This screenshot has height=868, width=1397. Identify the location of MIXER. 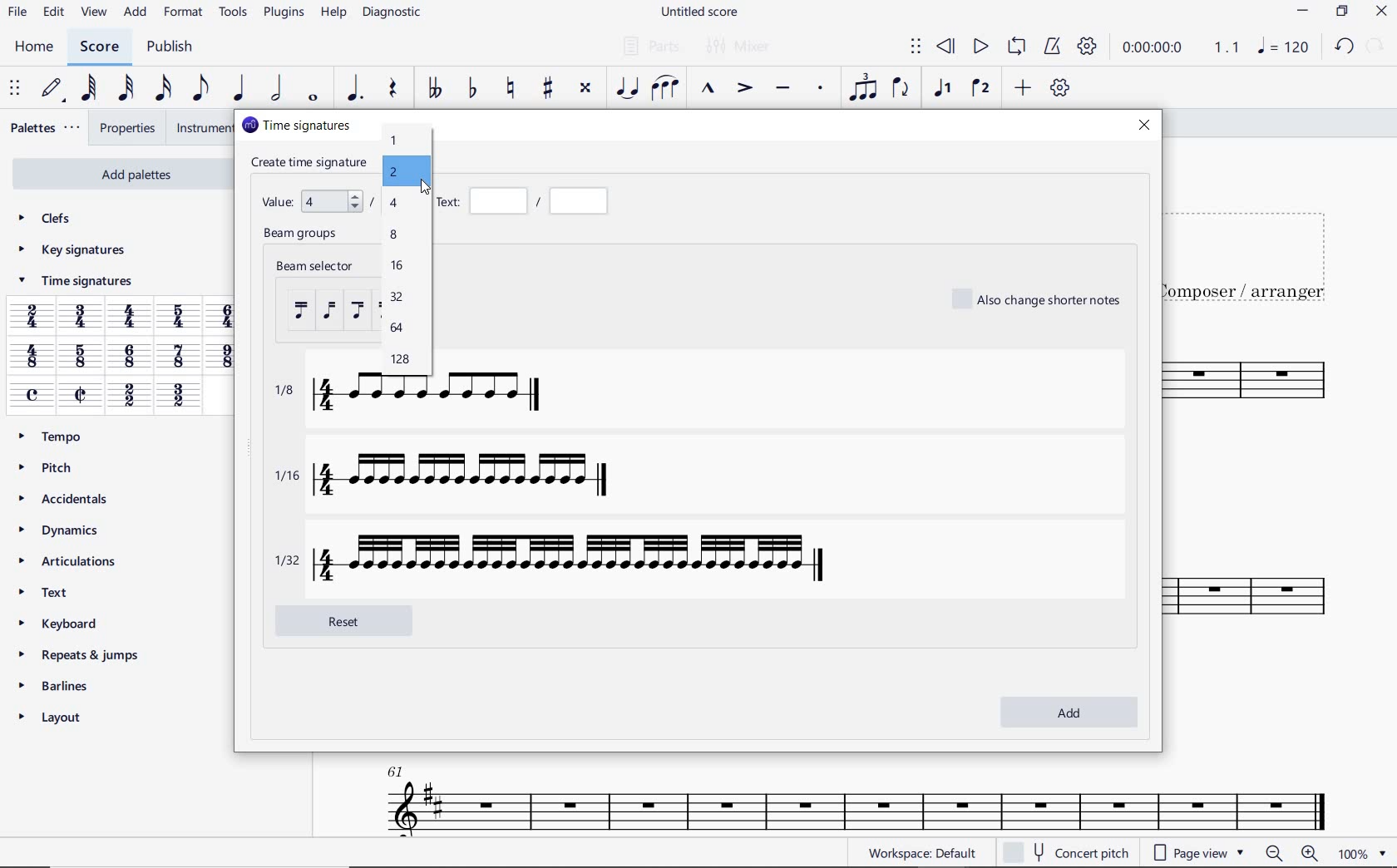
(740, 47).